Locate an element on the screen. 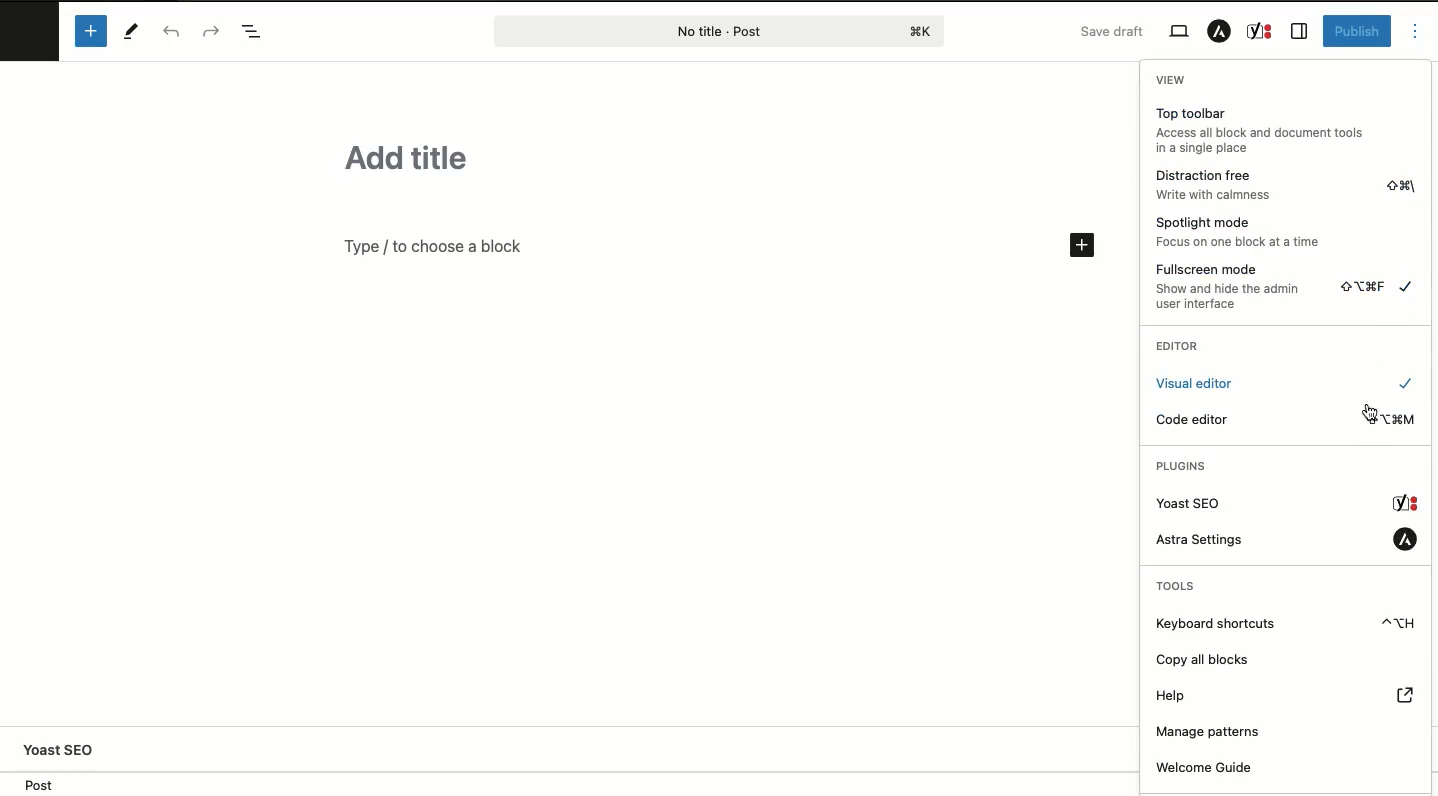 Image resolution: width=1438 pixels, height=796 pixels. Save draft is located at coordinates (1114, 31).